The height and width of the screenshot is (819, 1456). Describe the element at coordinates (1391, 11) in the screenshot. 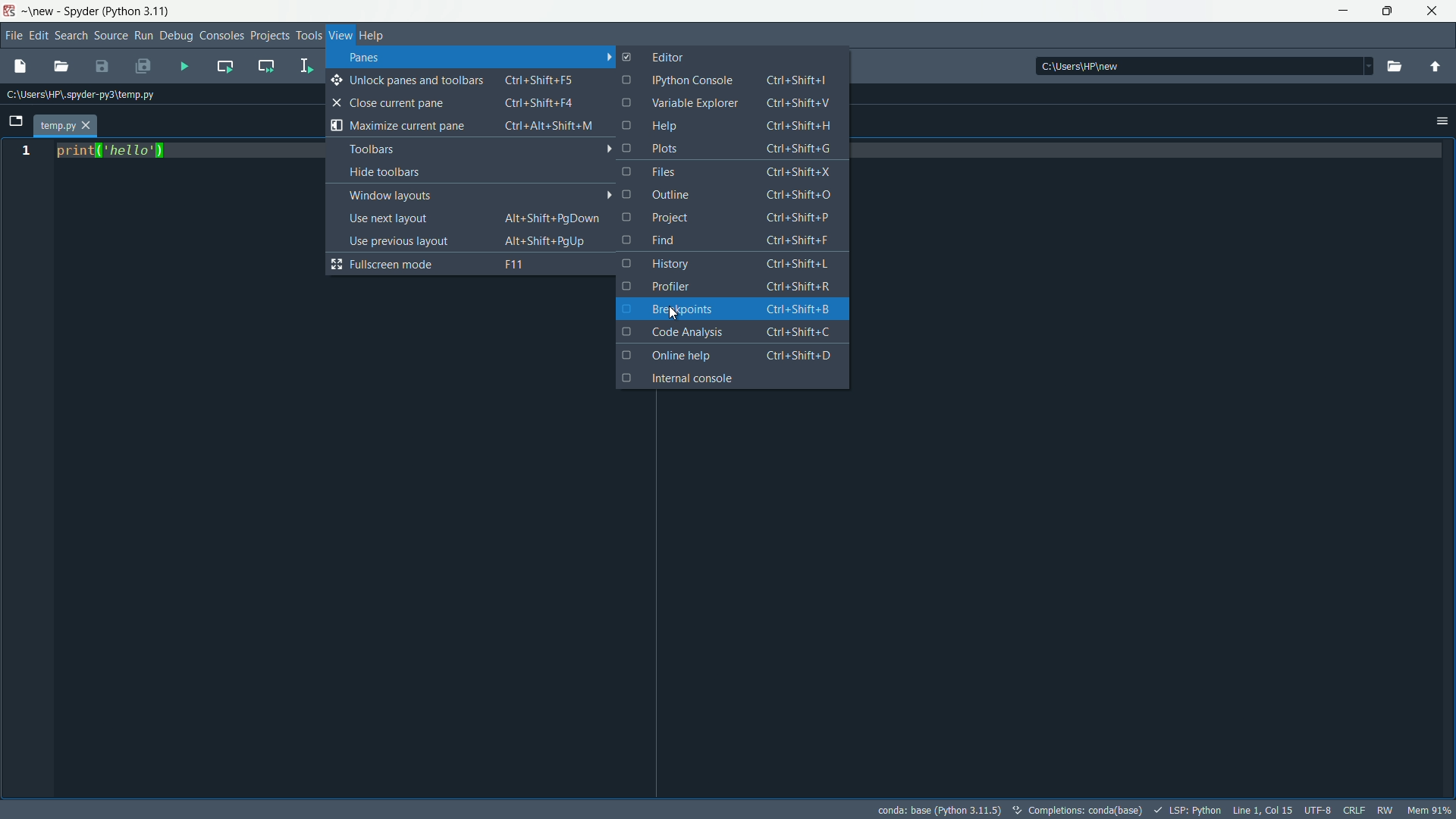

I see `maximize` at that location.